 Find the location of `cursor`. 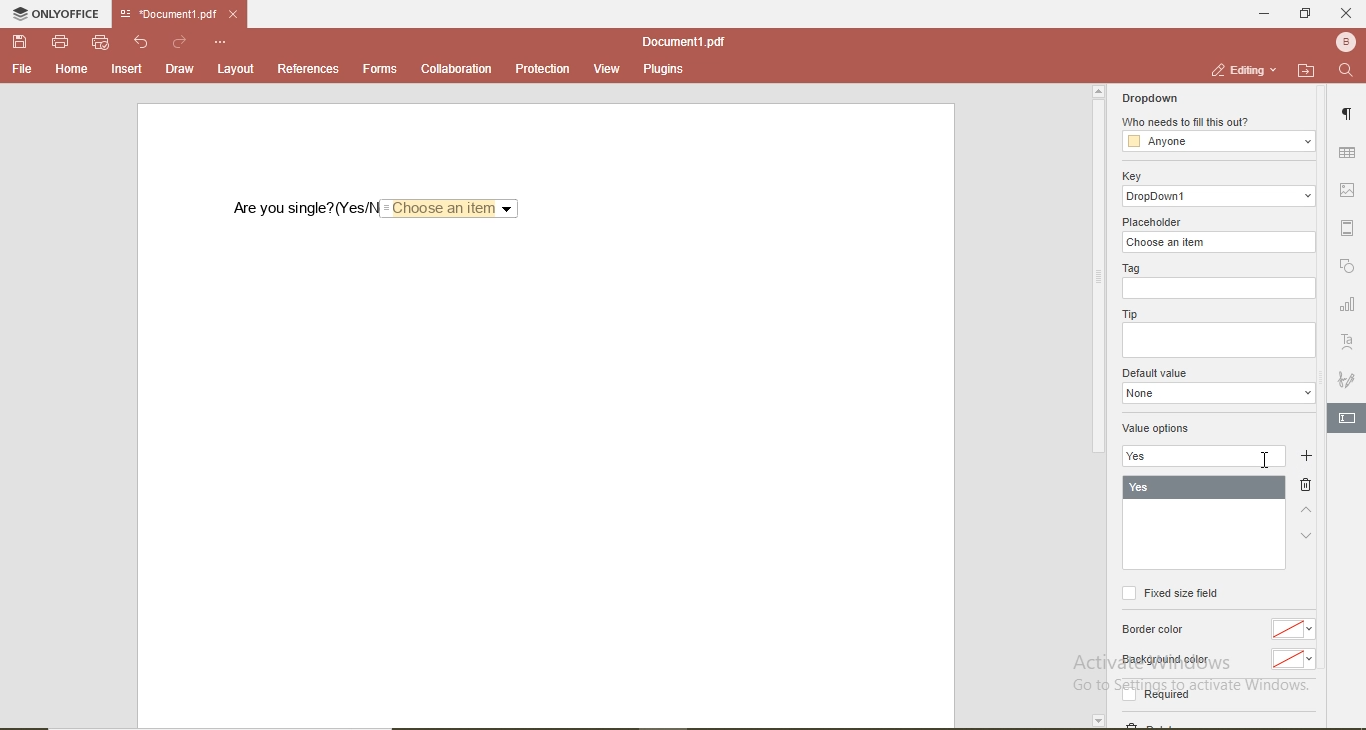

cursor is located at coordinates (1262, 463).